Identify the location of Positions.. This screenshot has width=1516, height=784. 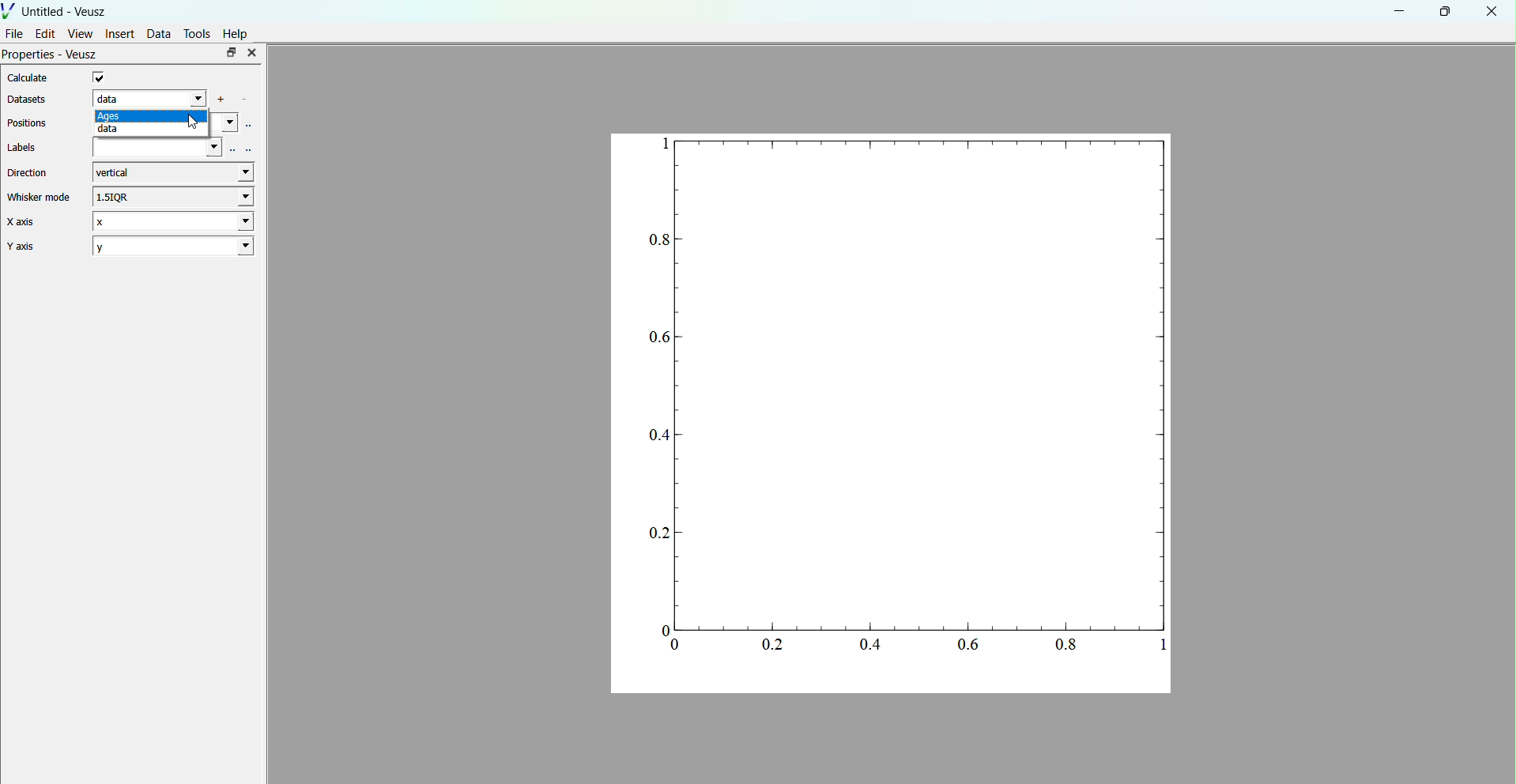
(31, 122).